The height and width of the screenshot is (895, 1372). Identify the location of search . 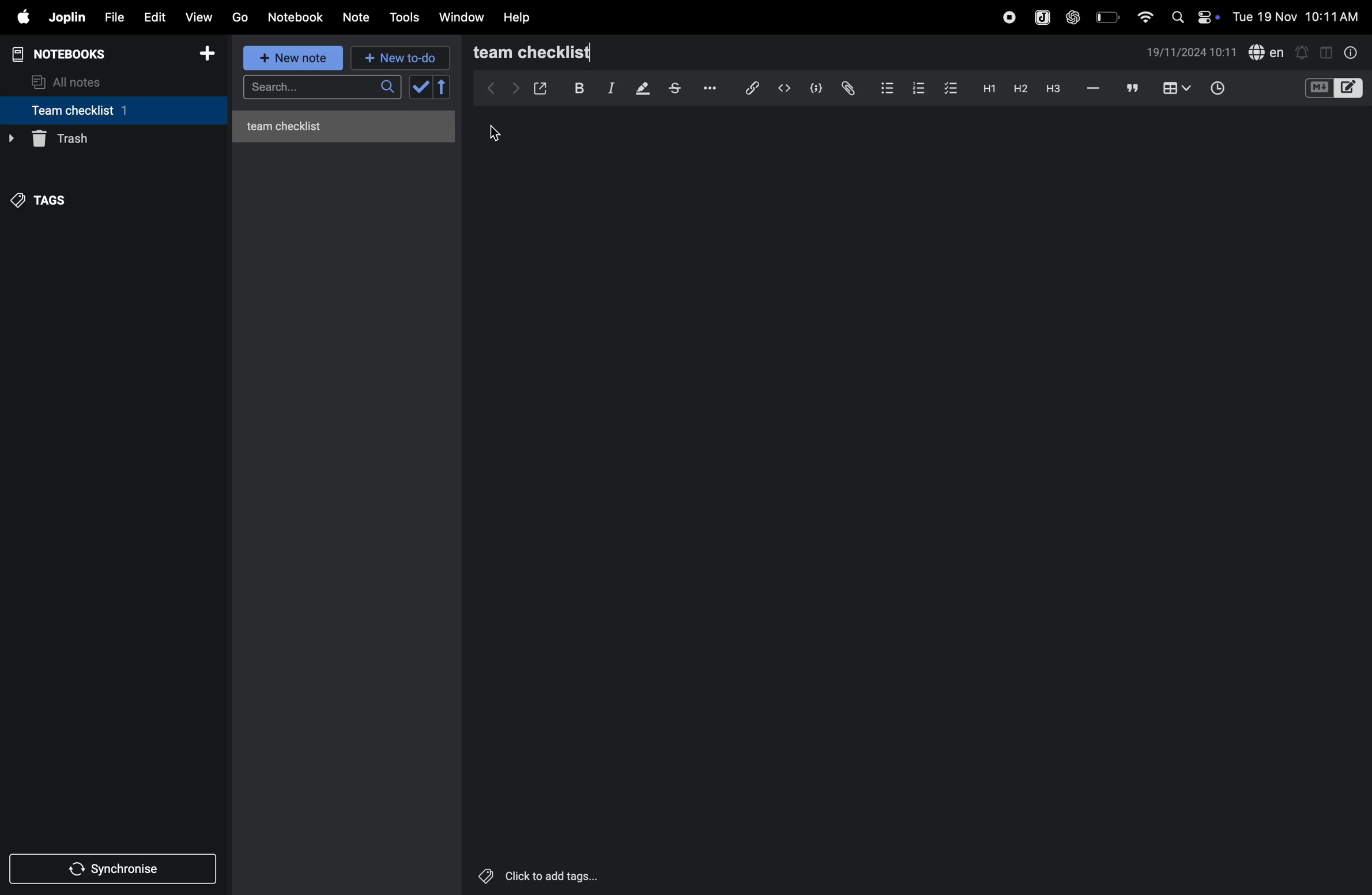
(320, 89).